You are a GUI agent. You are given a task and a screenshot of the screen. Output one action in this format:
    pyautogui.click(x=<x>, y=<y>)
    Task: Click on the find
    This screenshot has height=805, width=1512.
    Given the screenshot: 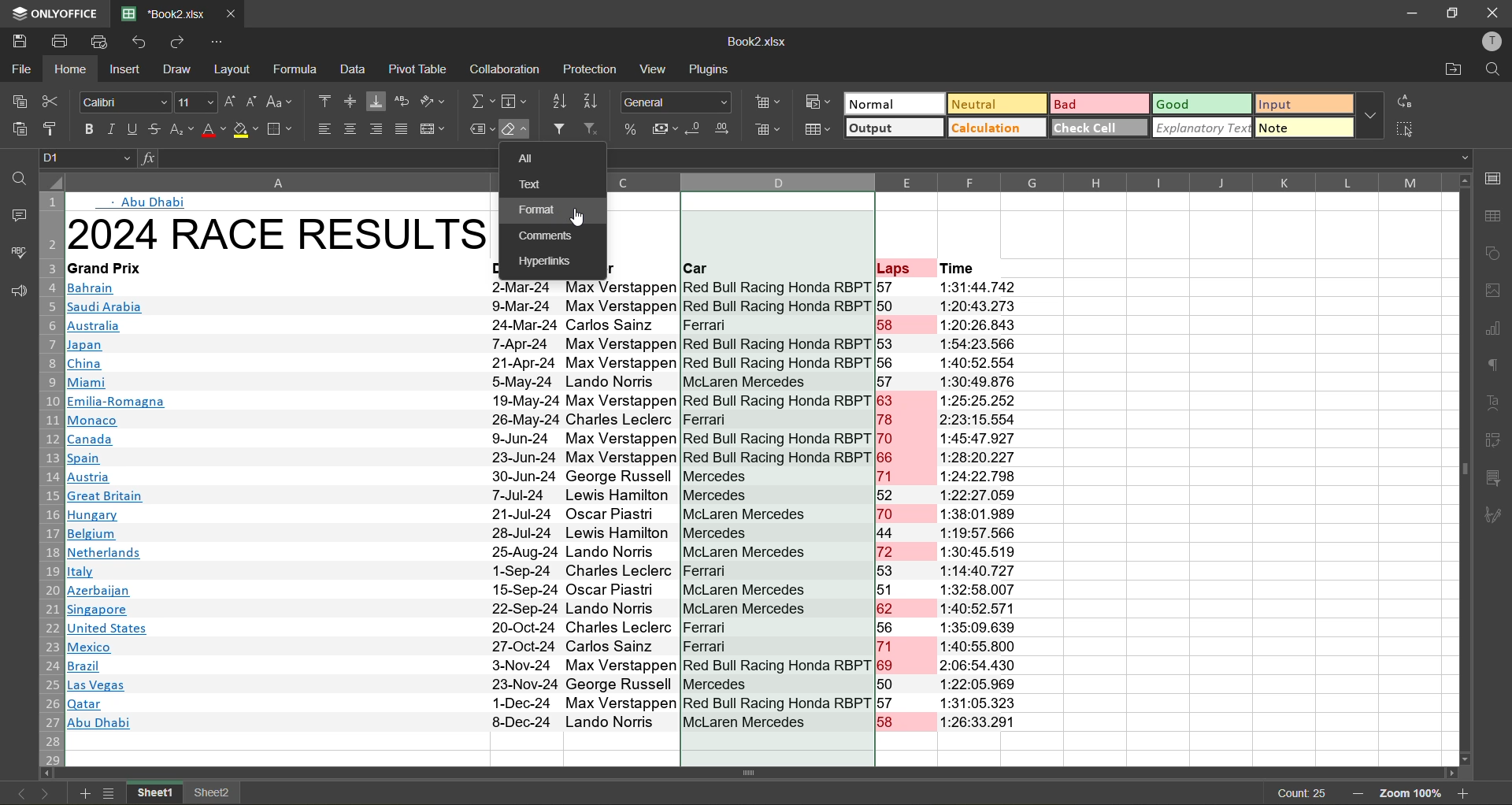 What is the action you would take?
    pyautogui.click(x=1494, y=69)
    